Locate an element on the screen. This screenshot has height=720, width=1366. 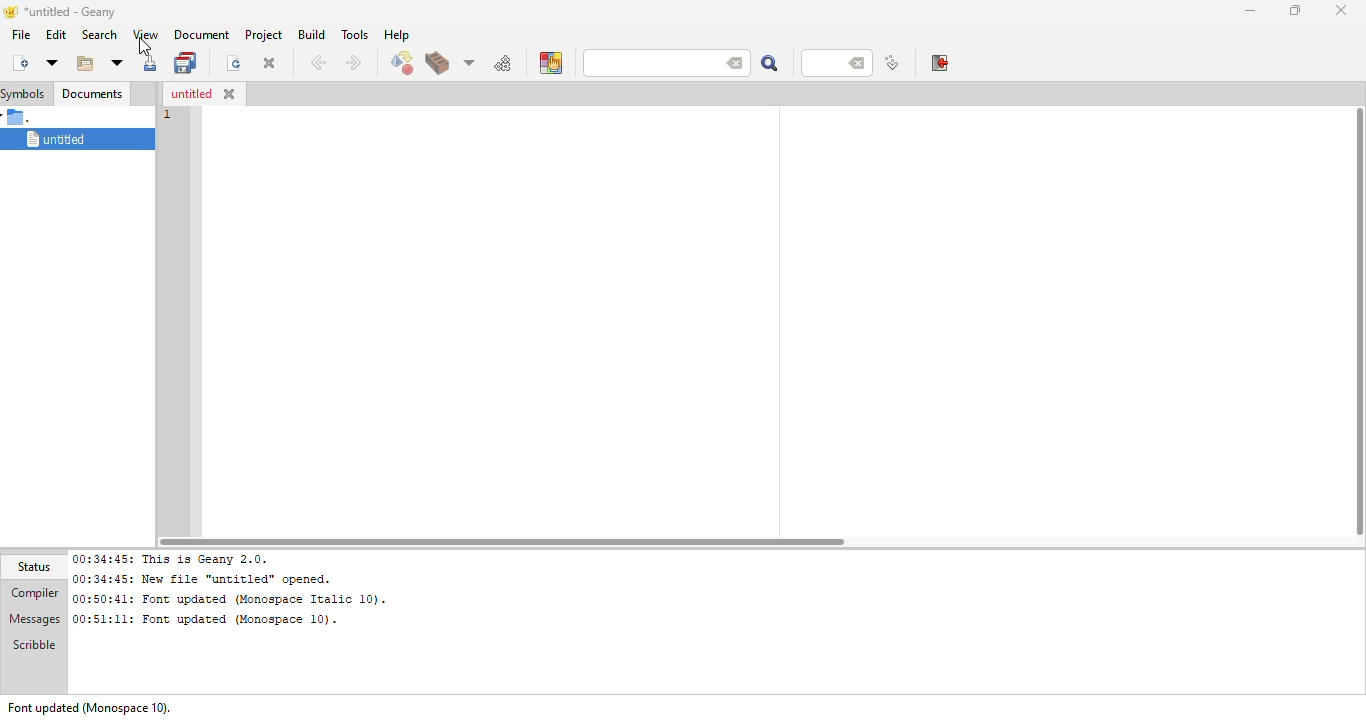
minimize is located at coordinates (1247, 10).